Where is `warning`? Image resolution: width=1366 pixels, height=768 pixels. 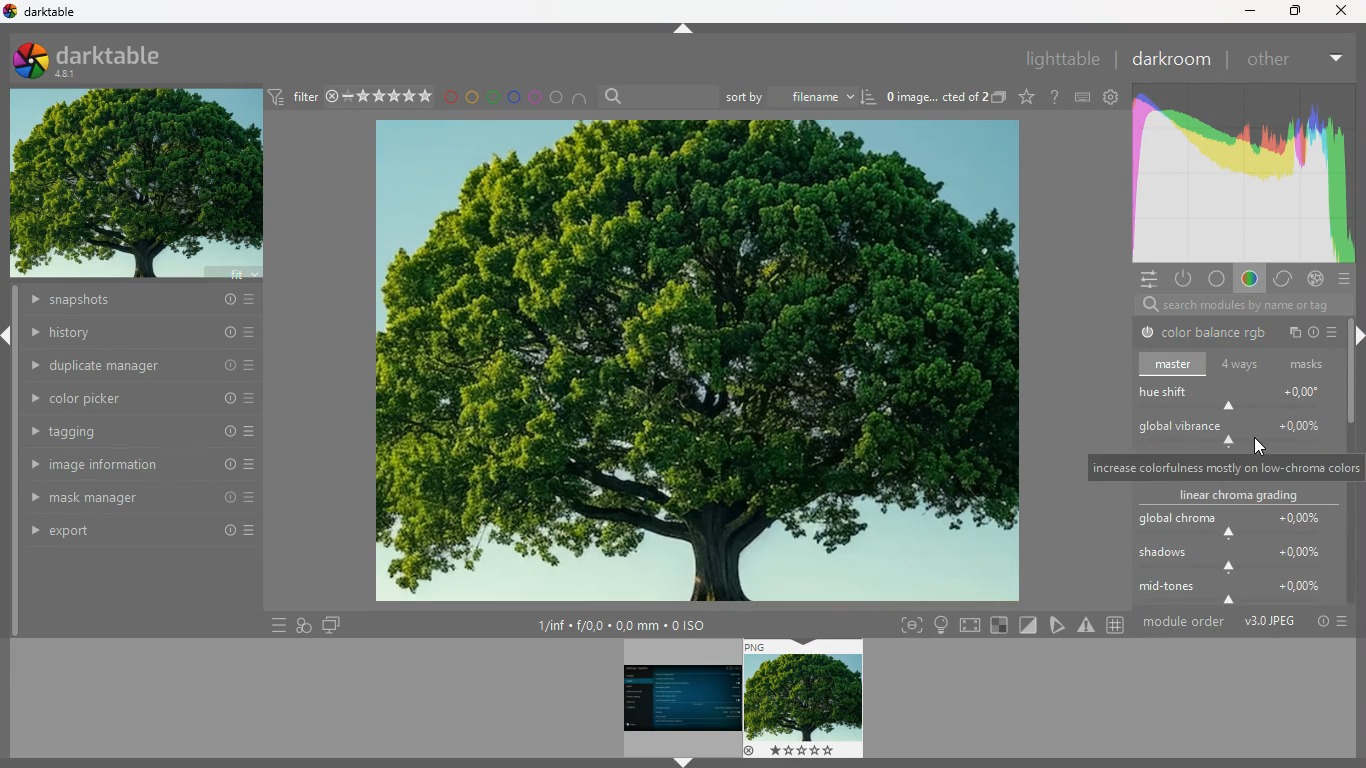
warning is located at coordinates (1087, 625).